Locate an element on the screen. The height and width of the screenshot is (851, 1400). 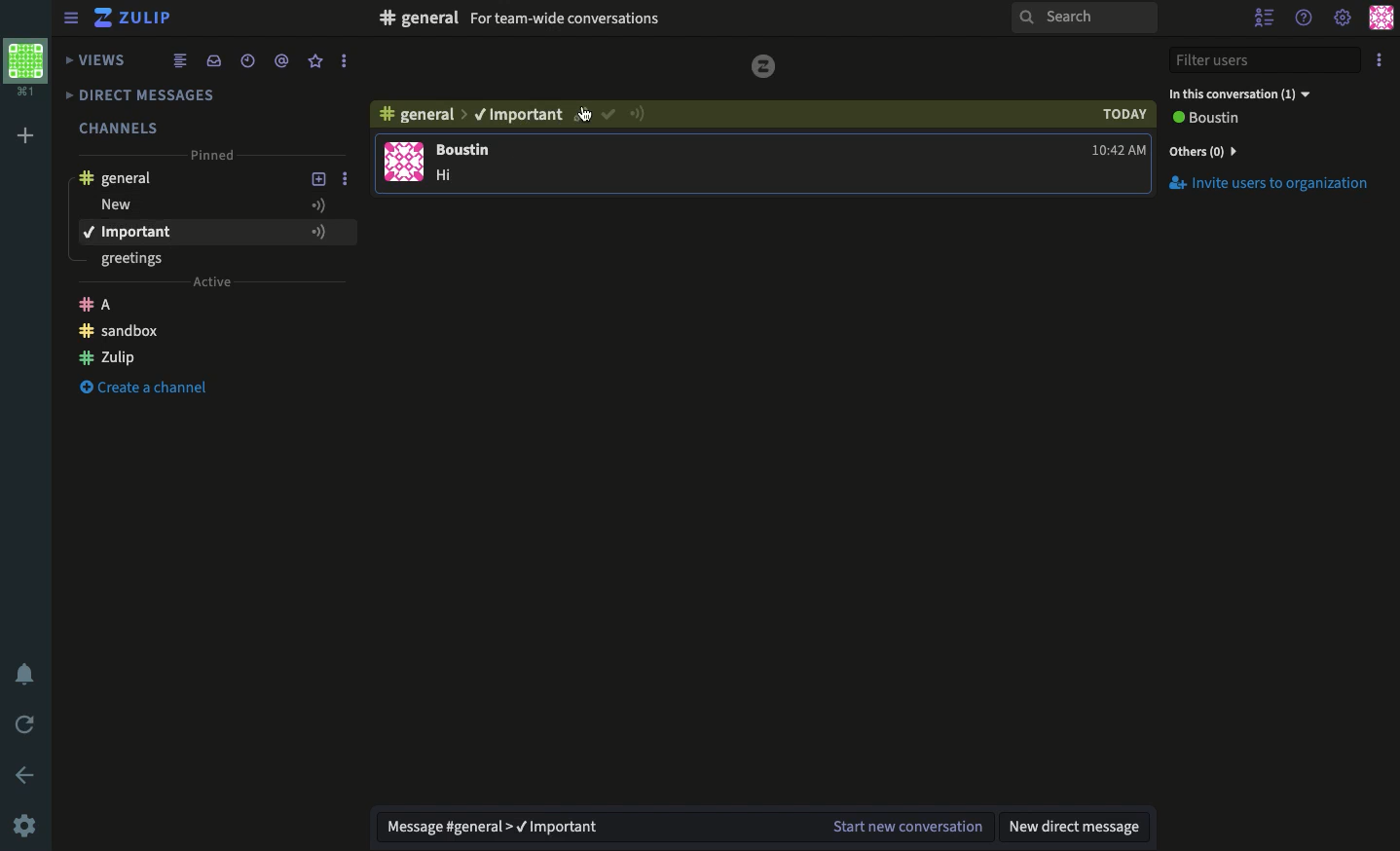
Zulip is located at coordinates (109, 303).